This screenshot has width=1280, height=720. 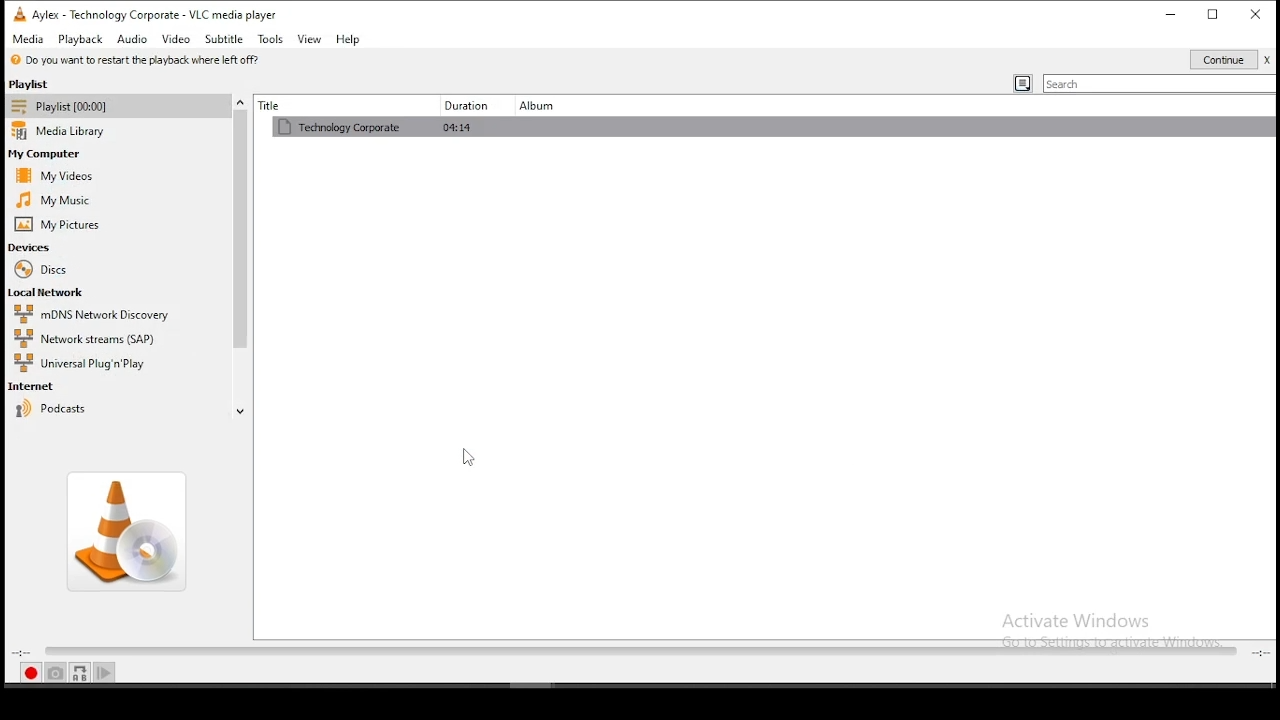 What do you see at coordinates (91, 105) in the screenshot?
I see `playlist` at bounding box center [91, 105].